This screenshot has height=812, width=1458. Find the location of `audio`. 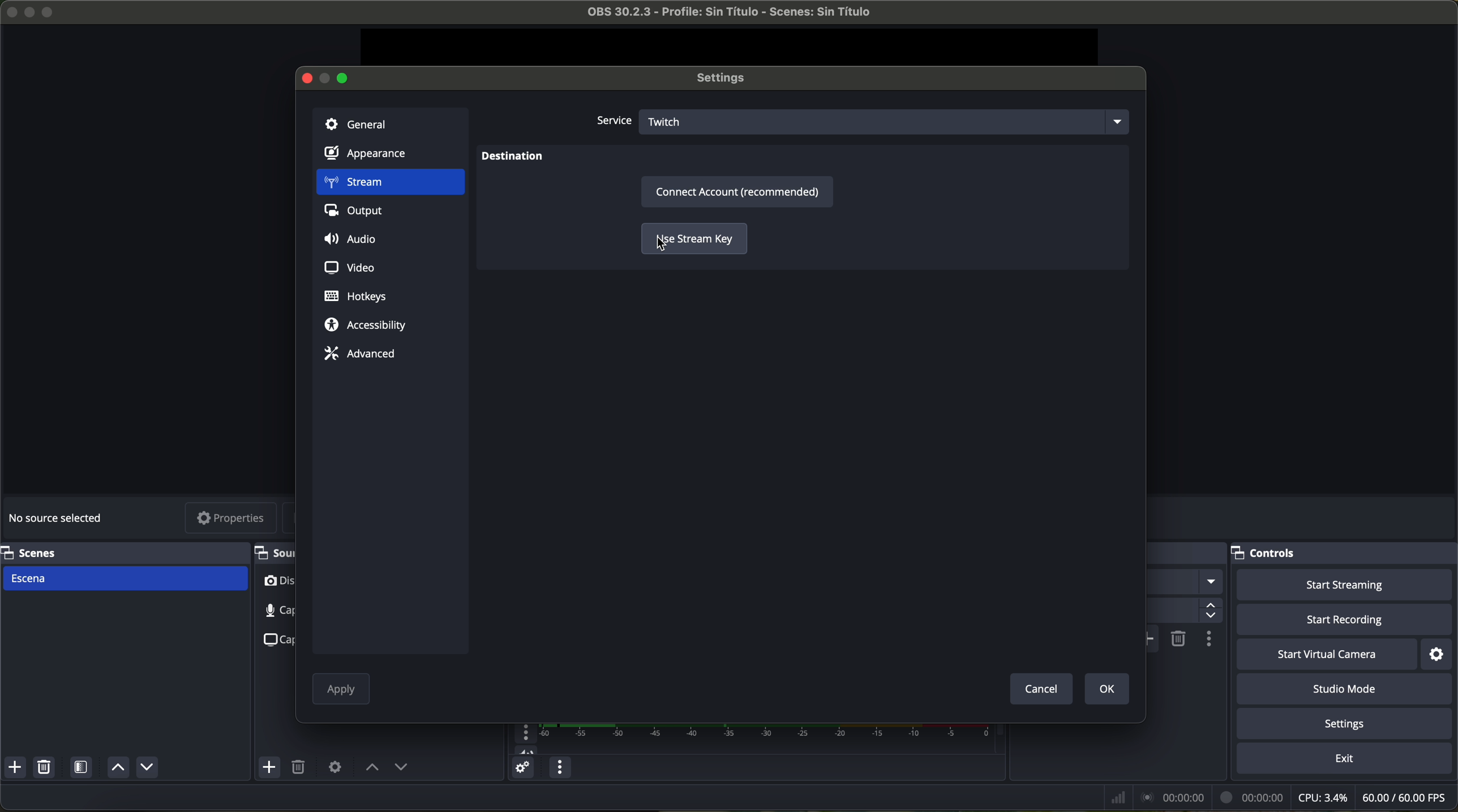

audio is located at coordinates (353, 240).